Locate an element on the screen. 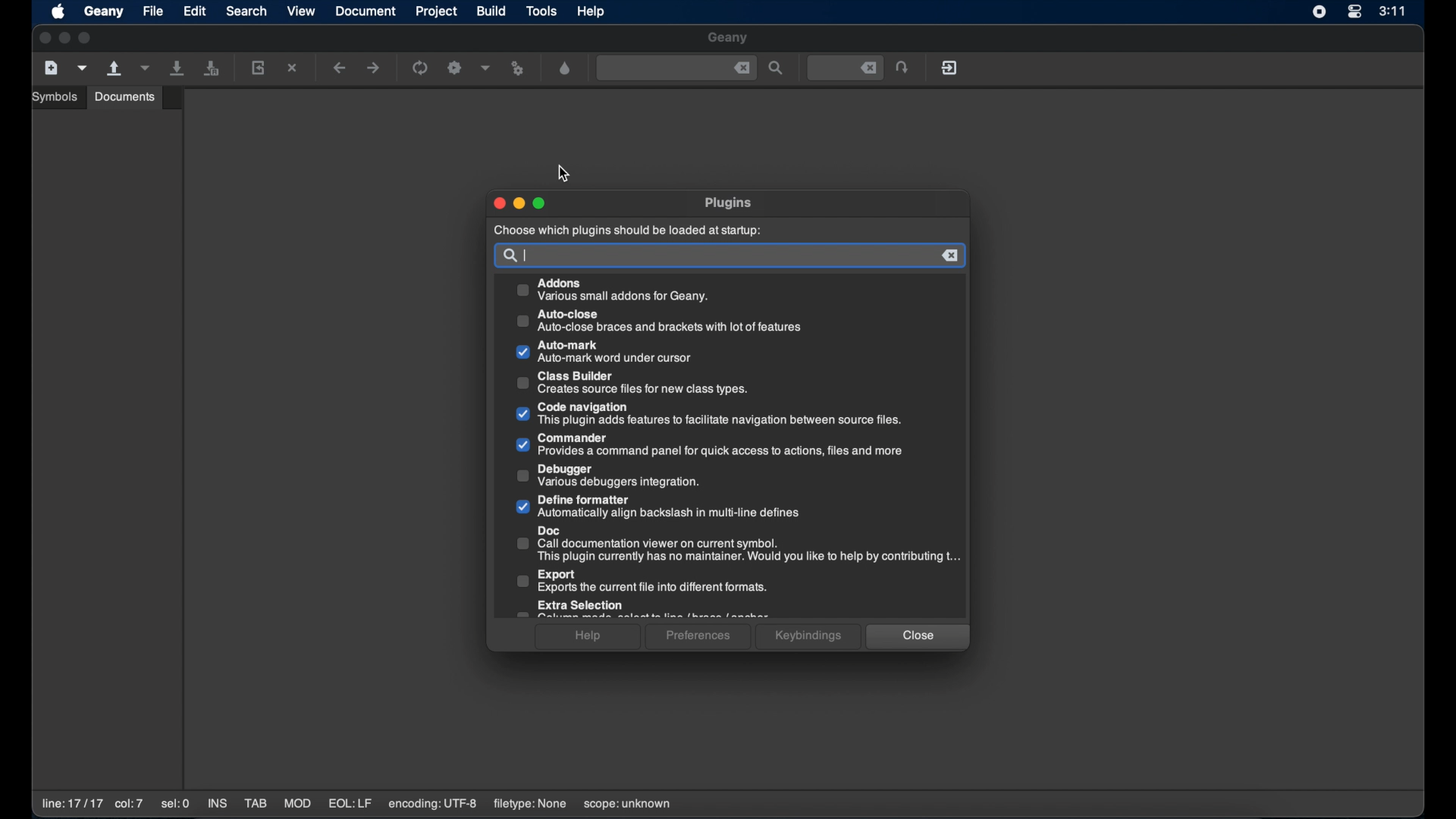  jump to the entered file is located at coordinates (903, 68).